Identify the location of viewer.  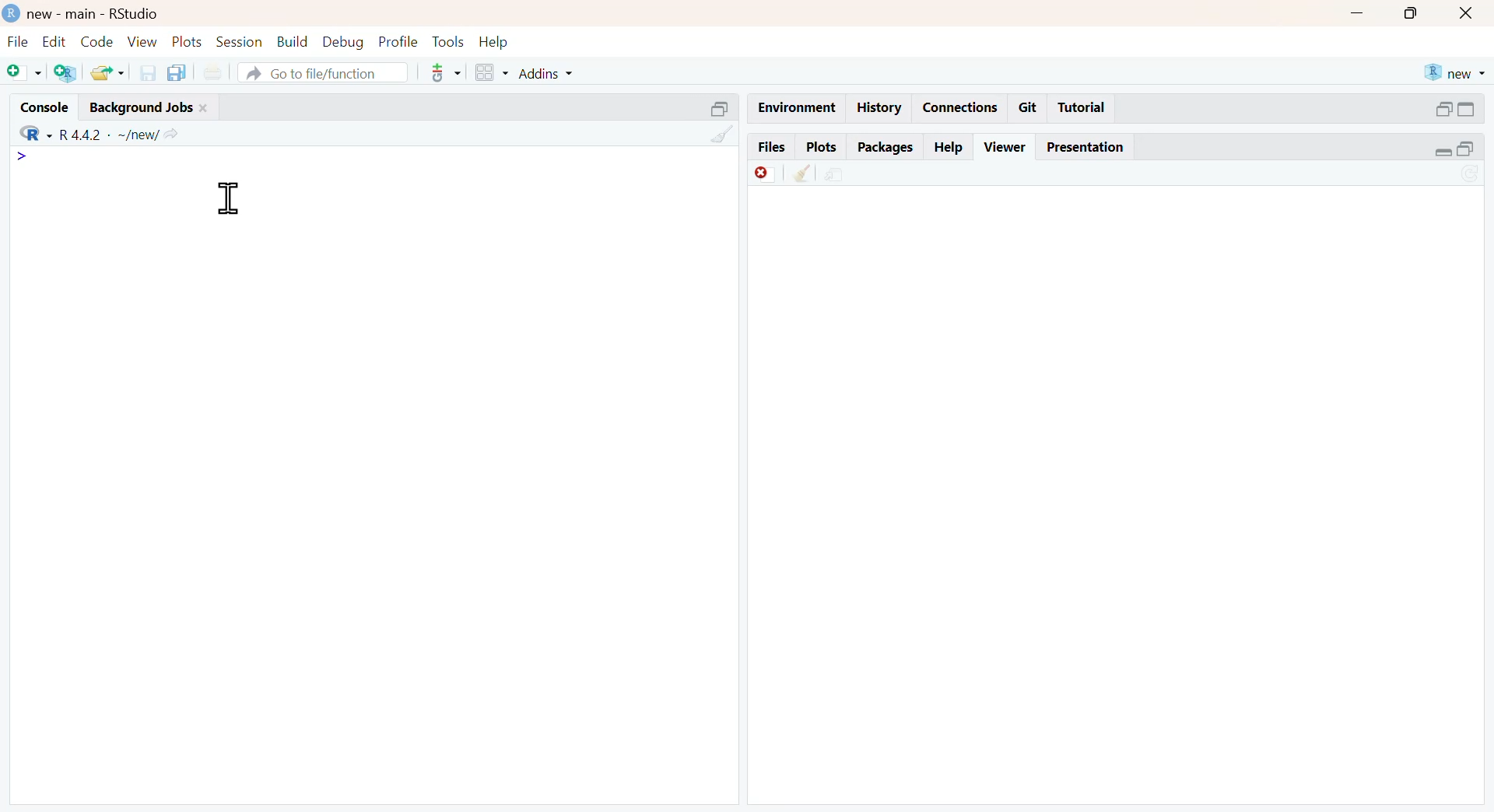
(1005, 147).